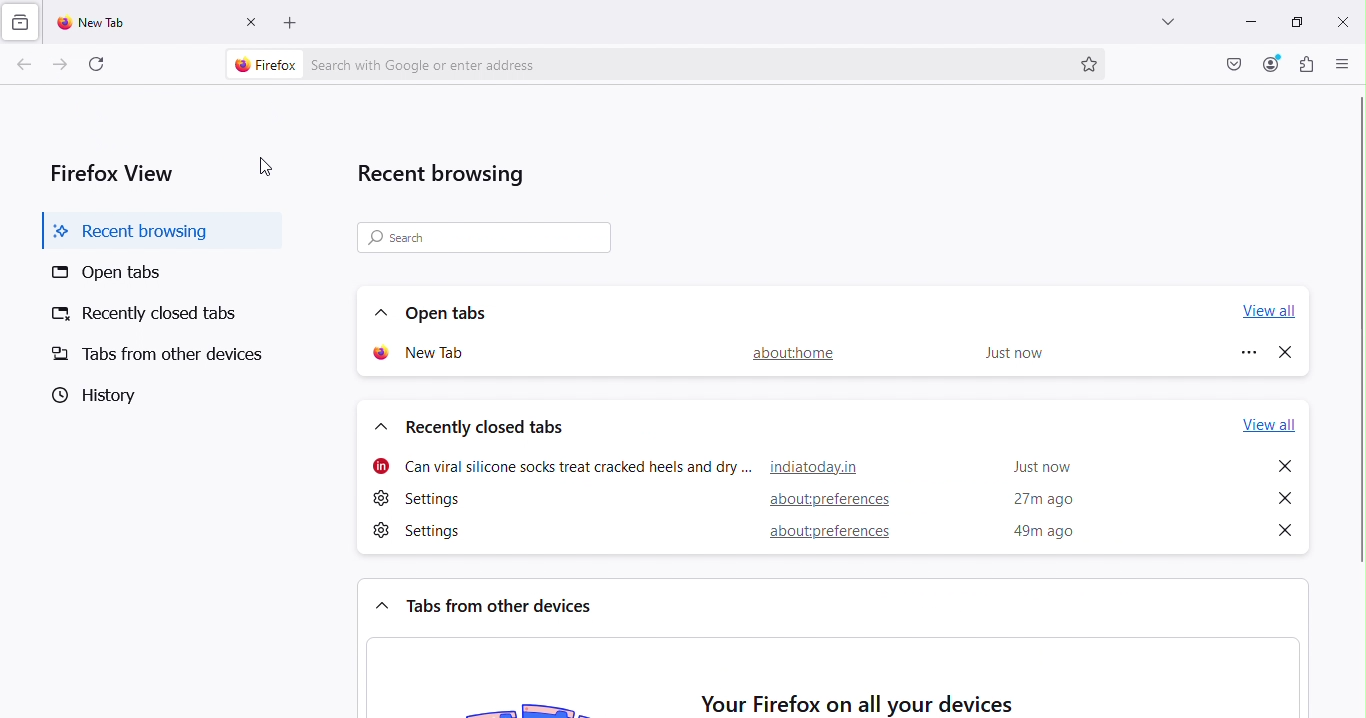  I want to click on View recent browsing across windows and devices, so click(20, 21).